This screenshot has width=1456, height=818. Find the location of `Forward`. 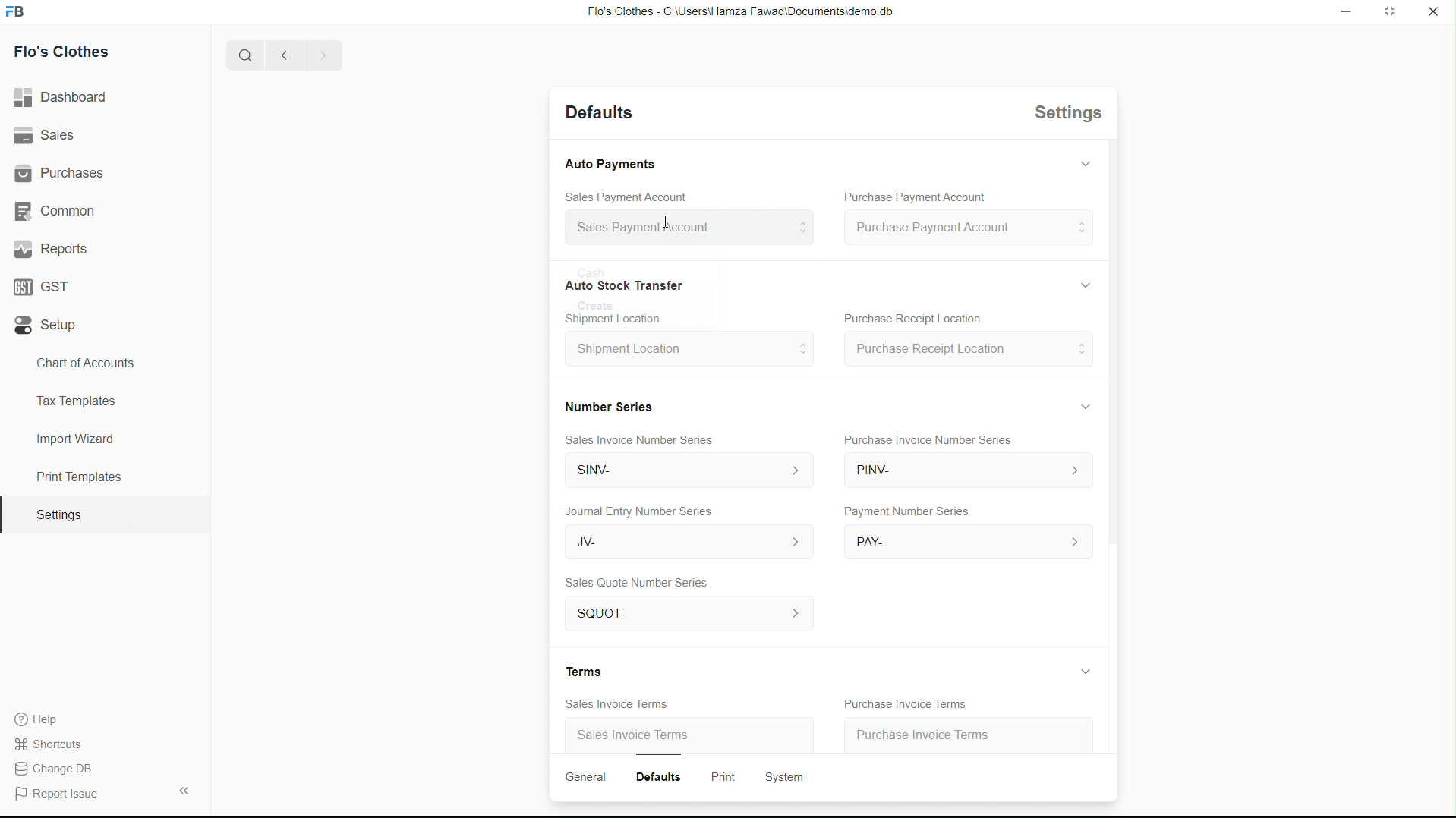

Forward is located at coordinates (323, 55).